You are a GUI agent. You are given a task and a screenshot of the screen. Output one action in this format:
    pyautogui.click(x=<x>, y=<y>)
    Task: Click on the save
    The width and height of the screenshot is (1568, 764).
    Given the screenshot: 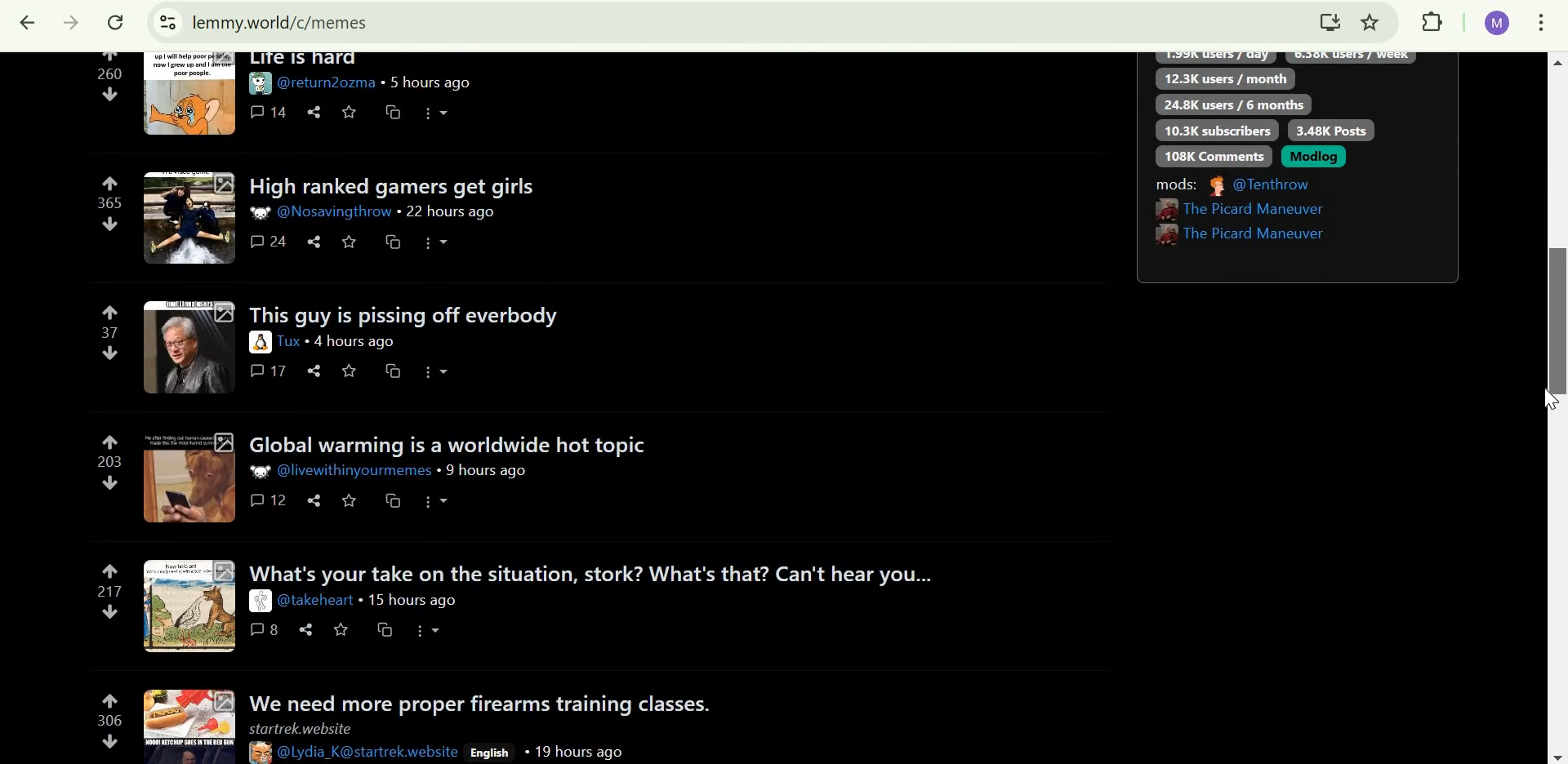 What is the action you would take?
    pyautogui.click(x=350, y=241)
    